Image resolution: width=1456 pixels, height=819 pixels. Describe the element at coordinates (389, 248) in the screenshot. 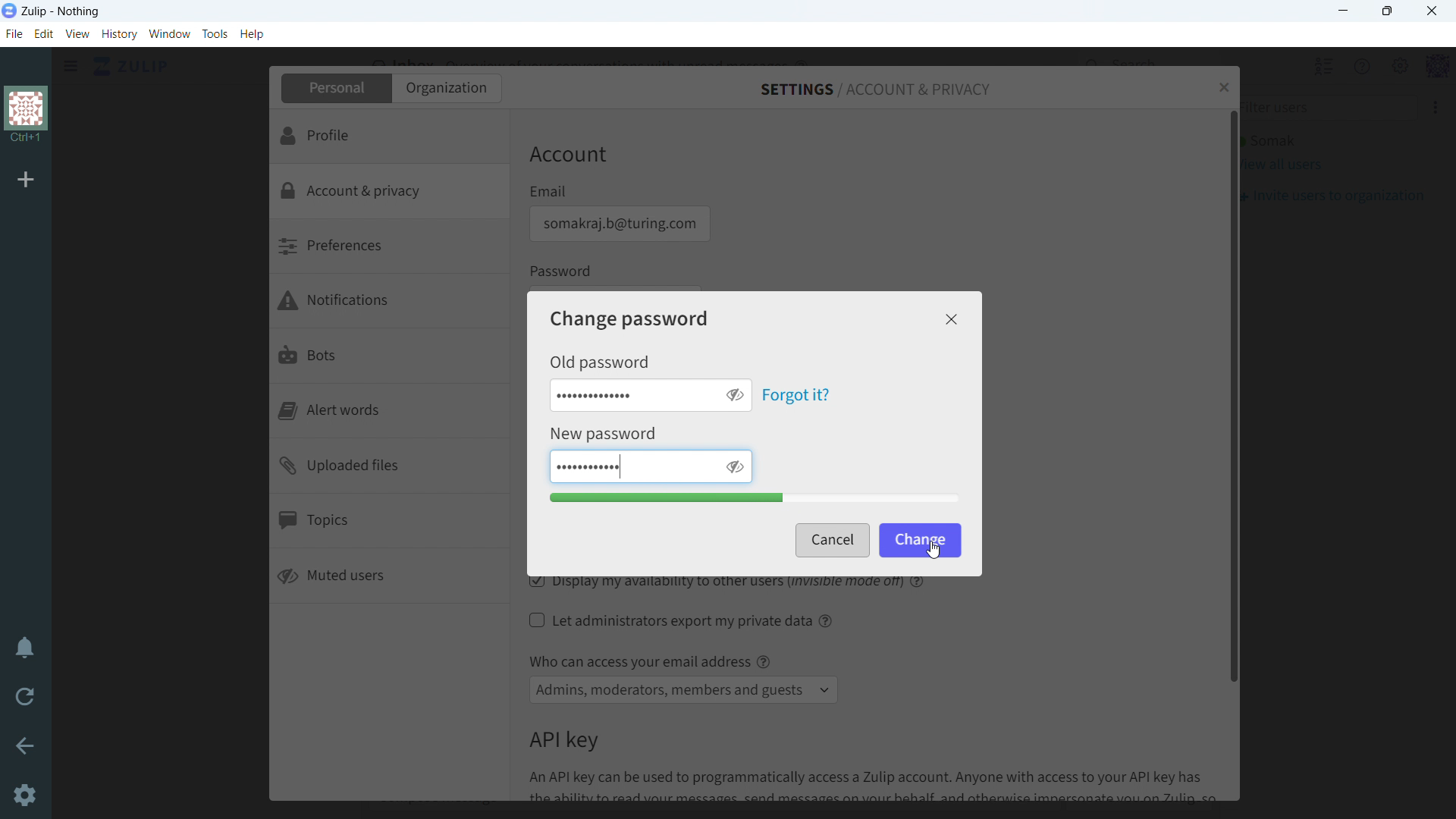

I see `preferences` at that location.